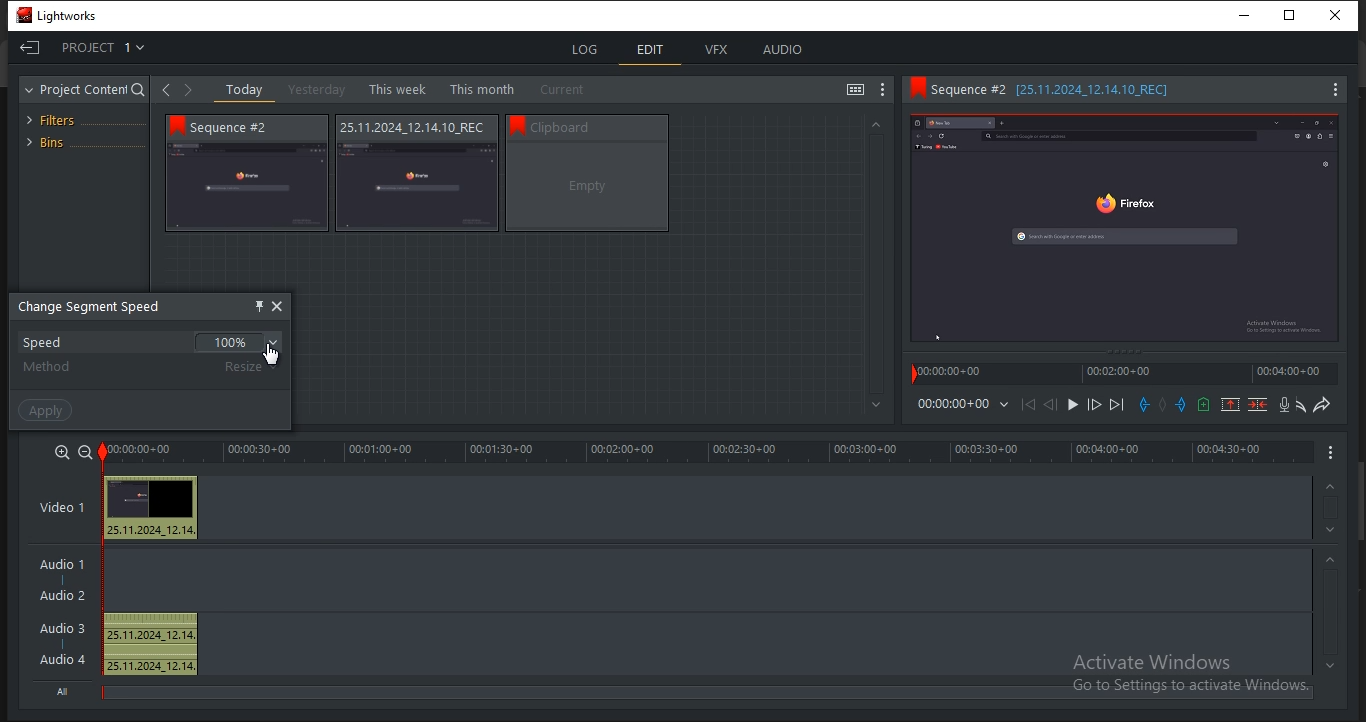 The height and width of the screenshot is (722, 1366). Describe the element at coordinates (248, 366) in the screenshot. I see `resize` at that location.